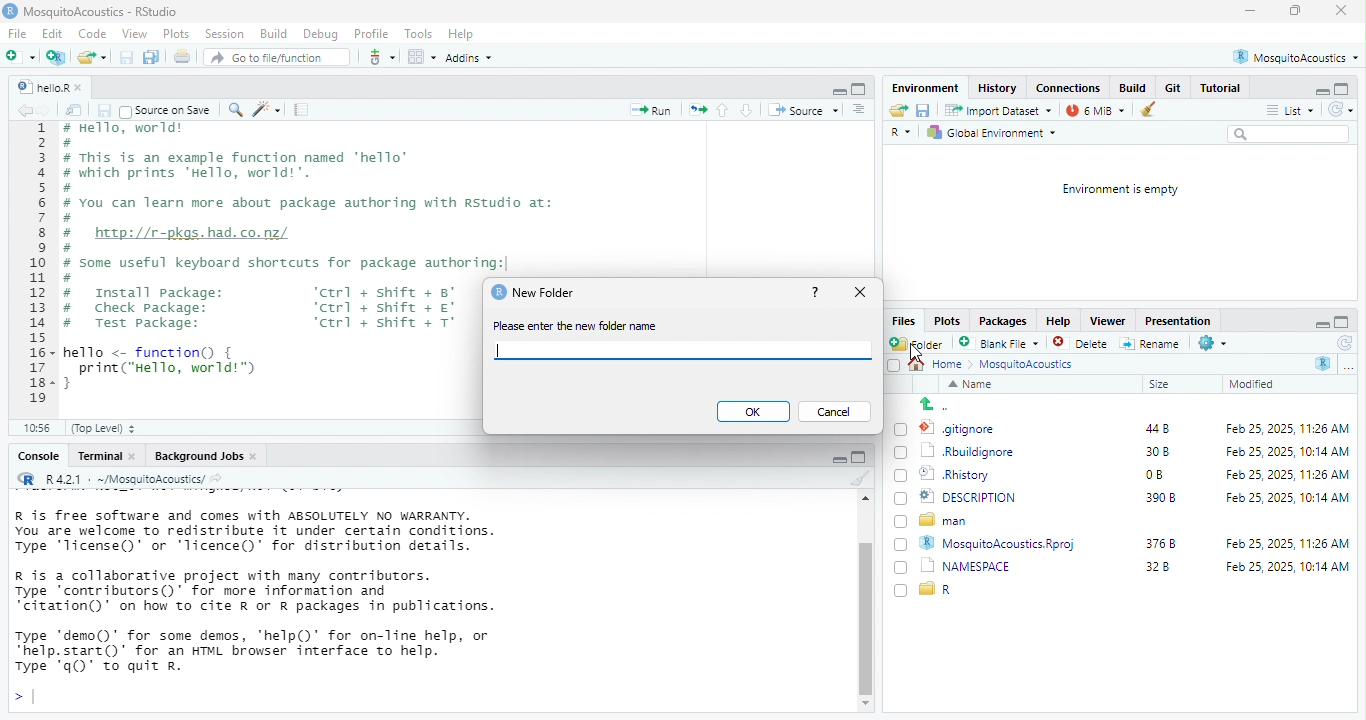 The width and height of the screenshot is (1366, 720). Describe the element at coordinates (695, 110) in the screenshot. I see `re run the previous code` at that location.